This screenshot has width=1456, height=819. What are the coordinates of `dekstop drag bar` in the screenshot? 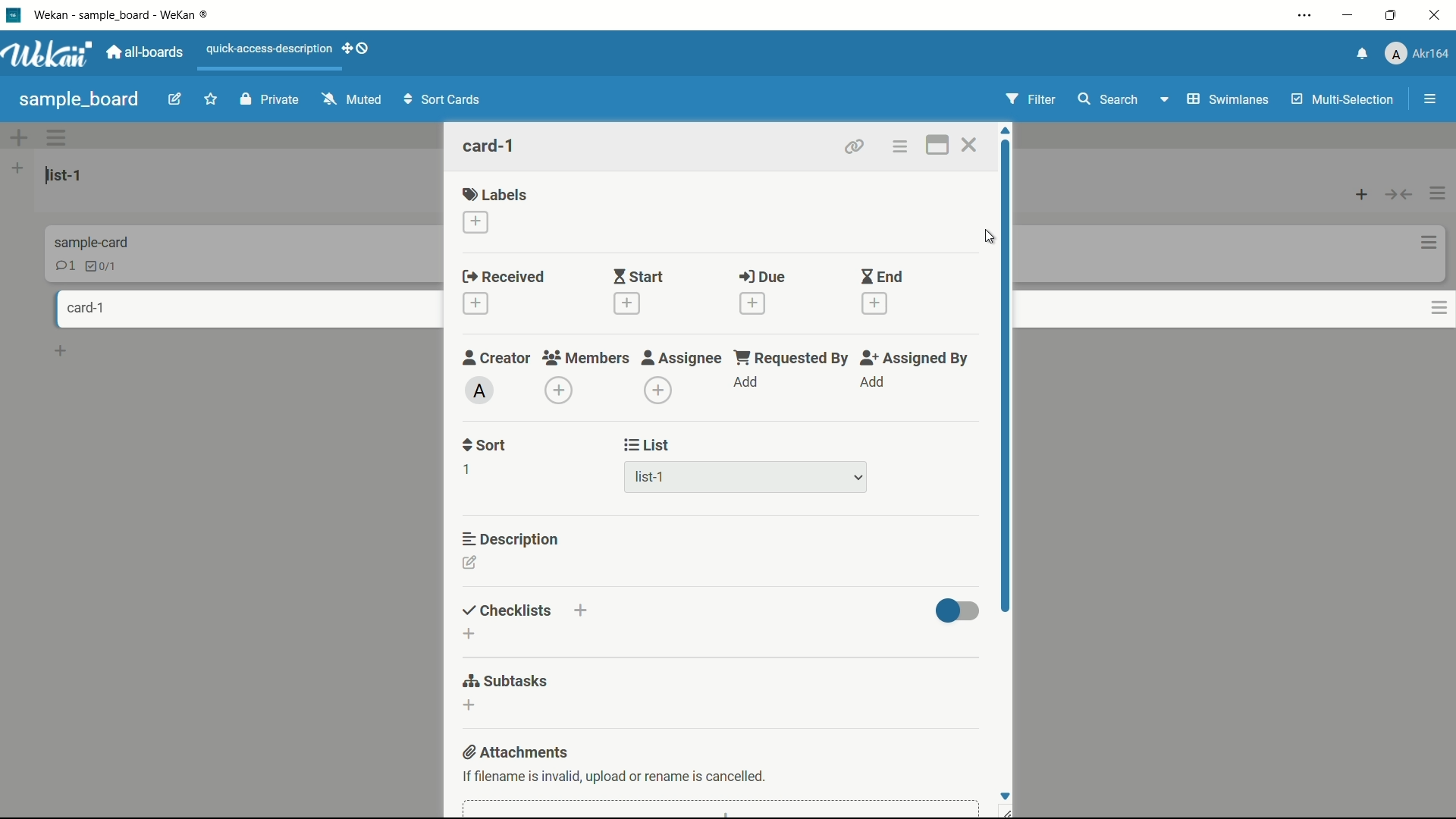 It's located at (356, 50).